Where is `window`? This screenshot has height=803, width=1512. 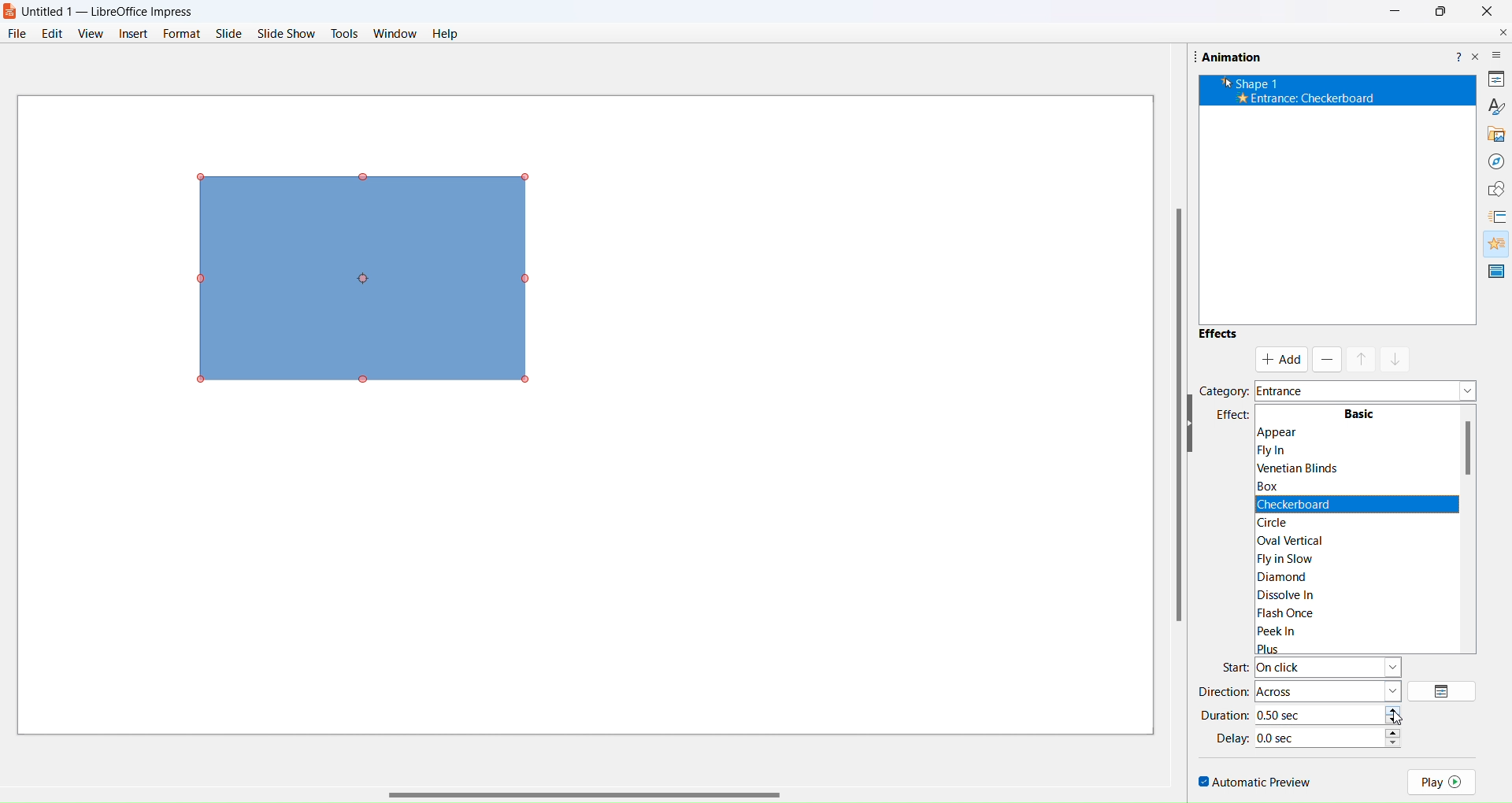
window is located at coordinates (396, 35).